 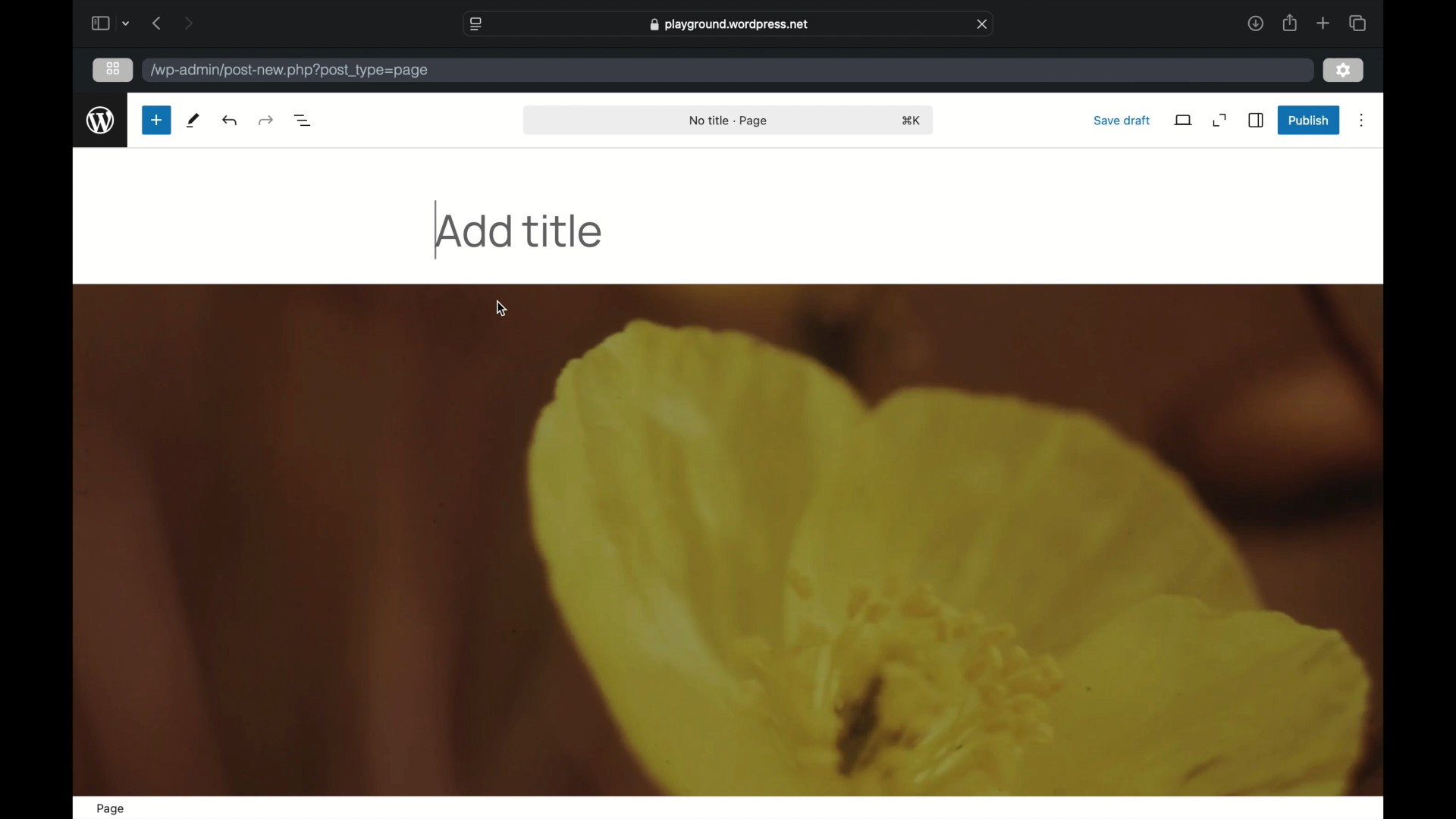 What do you see at coordinates (1124, 121) in the screenshot?
I see `save draft` at bounding box center [1124, 121].